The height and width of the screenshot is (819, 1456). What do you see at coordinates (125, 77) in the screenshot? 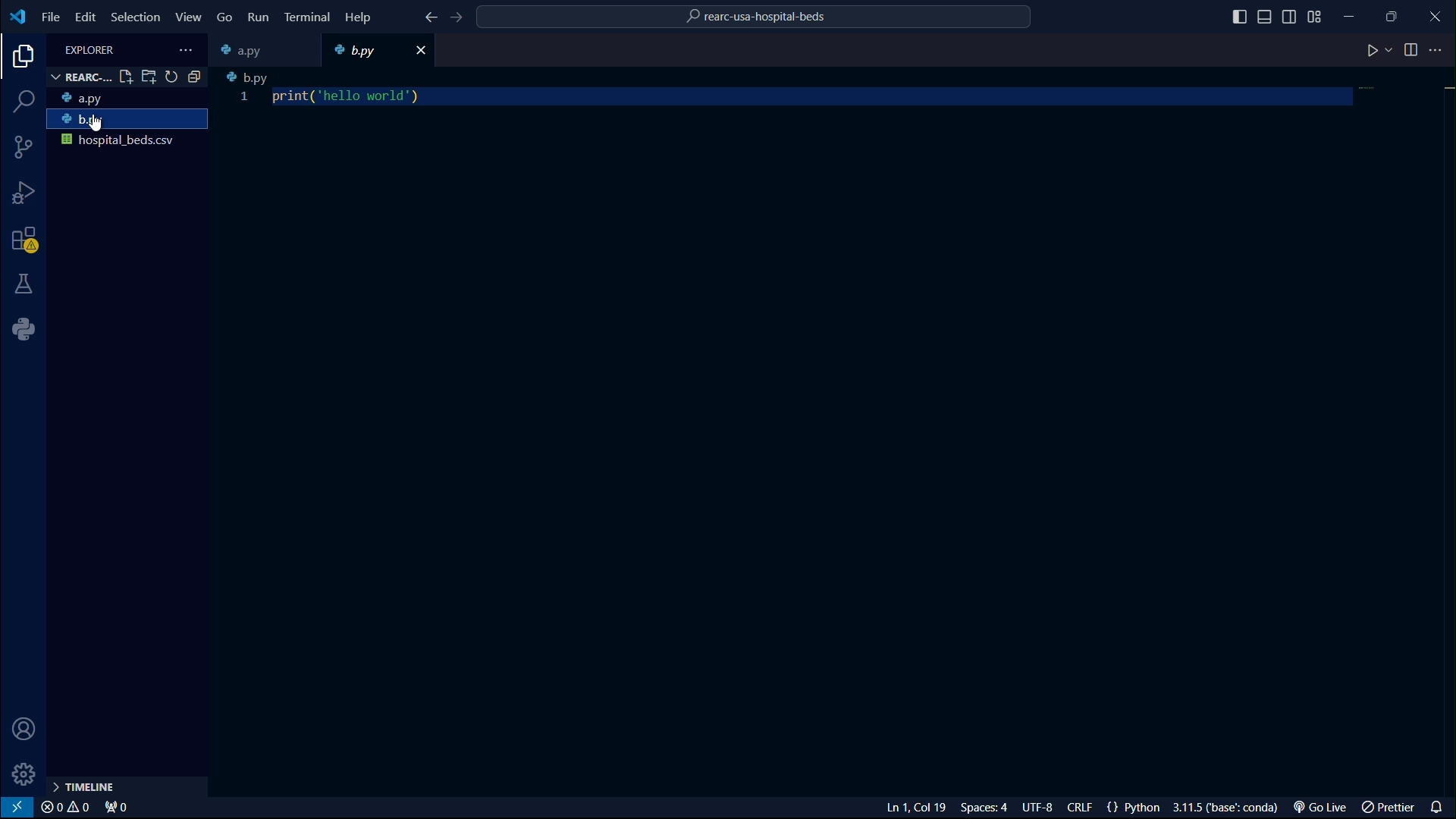
I see `new file` at bounding box center [125, 77].